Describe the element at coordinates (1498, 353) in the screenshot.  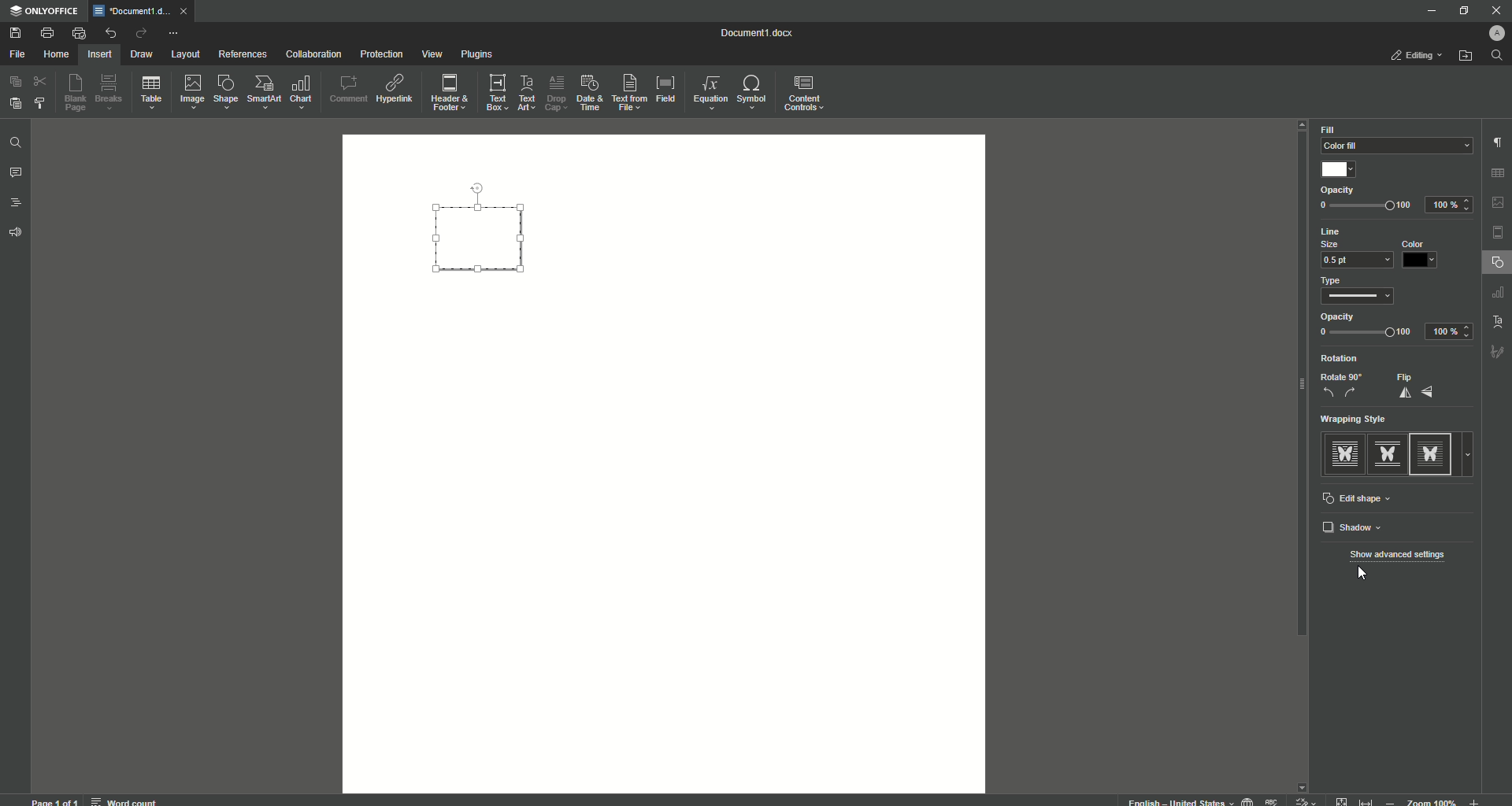
I see `signature` at that location.